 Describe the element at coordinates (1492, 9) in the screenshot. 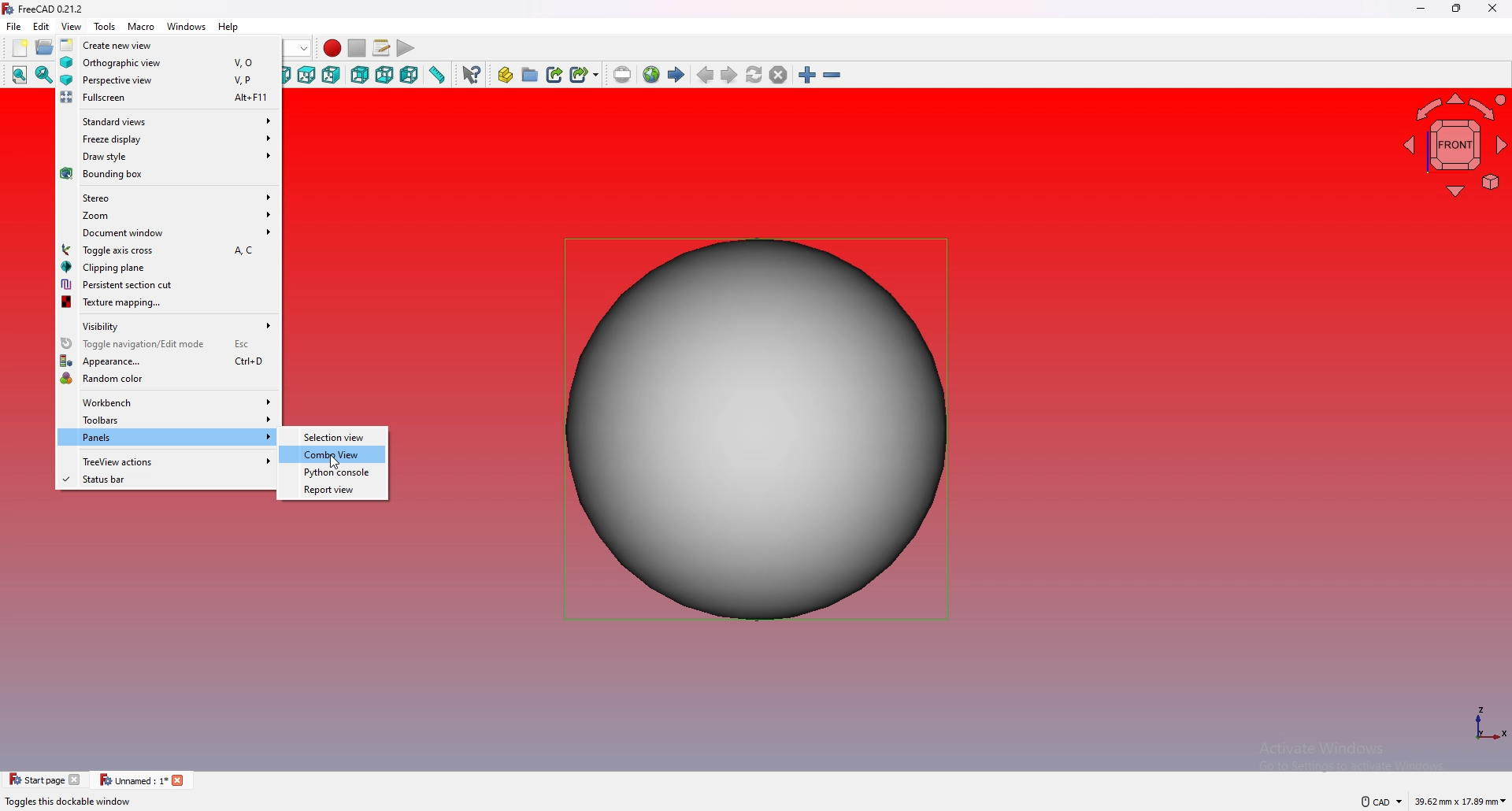

I see `close` at that location.